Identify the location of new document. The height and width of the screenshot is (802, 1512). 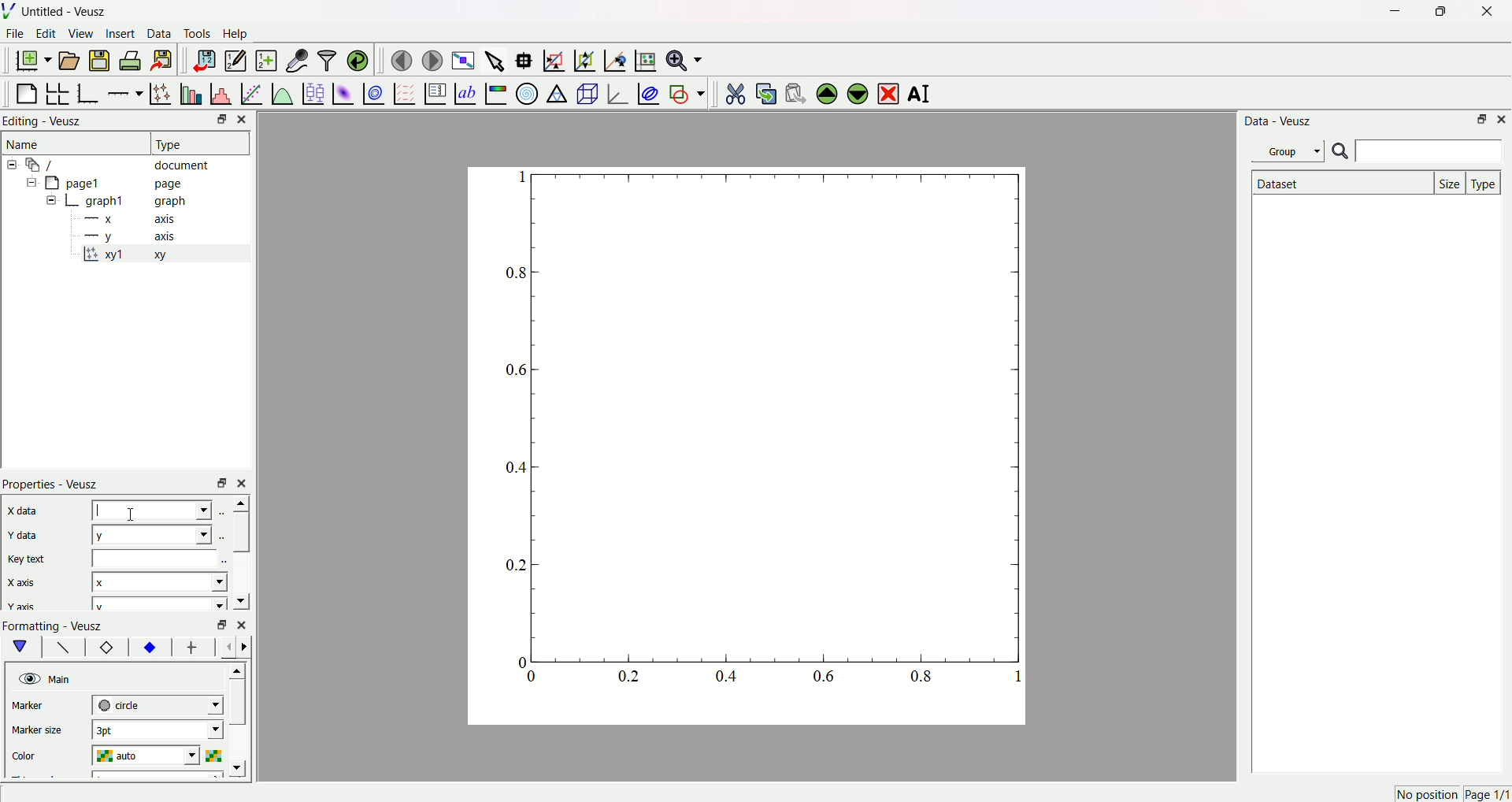
(35, 61).